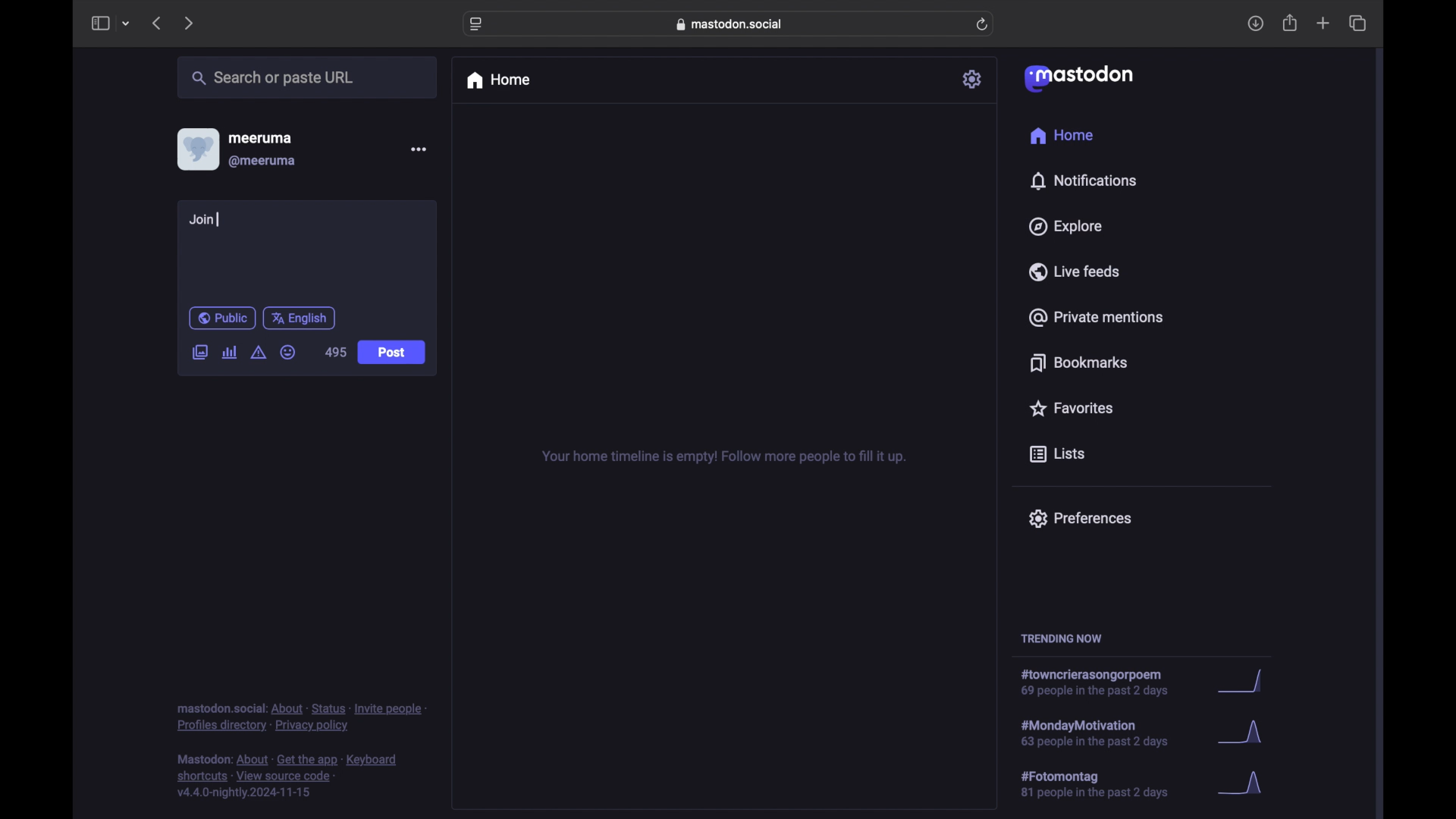 Image resolution: width=1456 pixels, height=819 pixels. Describe the element at coordinates (1083, 180) in the screenshot. I see `notifications` at that location.